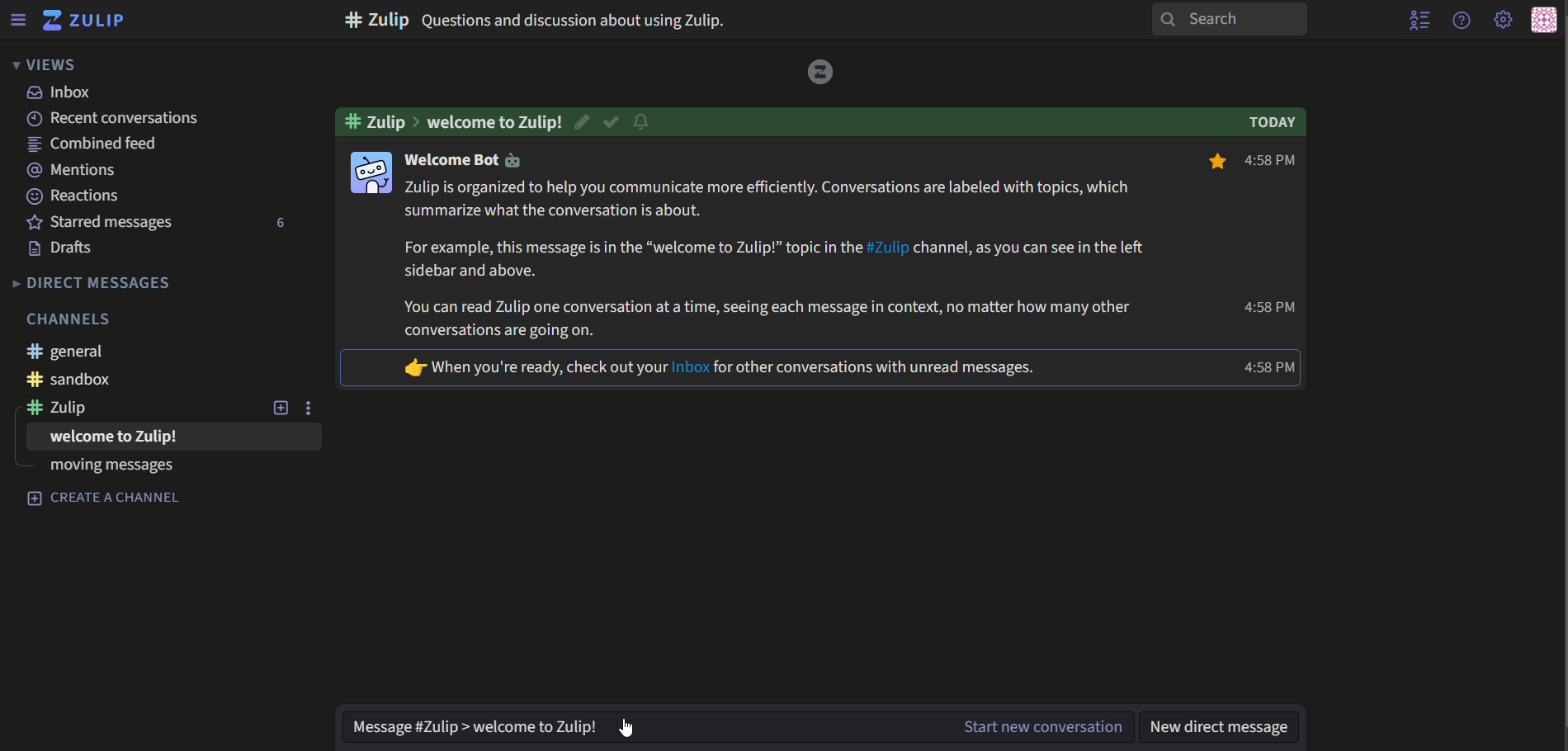  What do you see at coordinates (74, 196) in the screenshot?
I see `text` at bounding box center [74, 196].